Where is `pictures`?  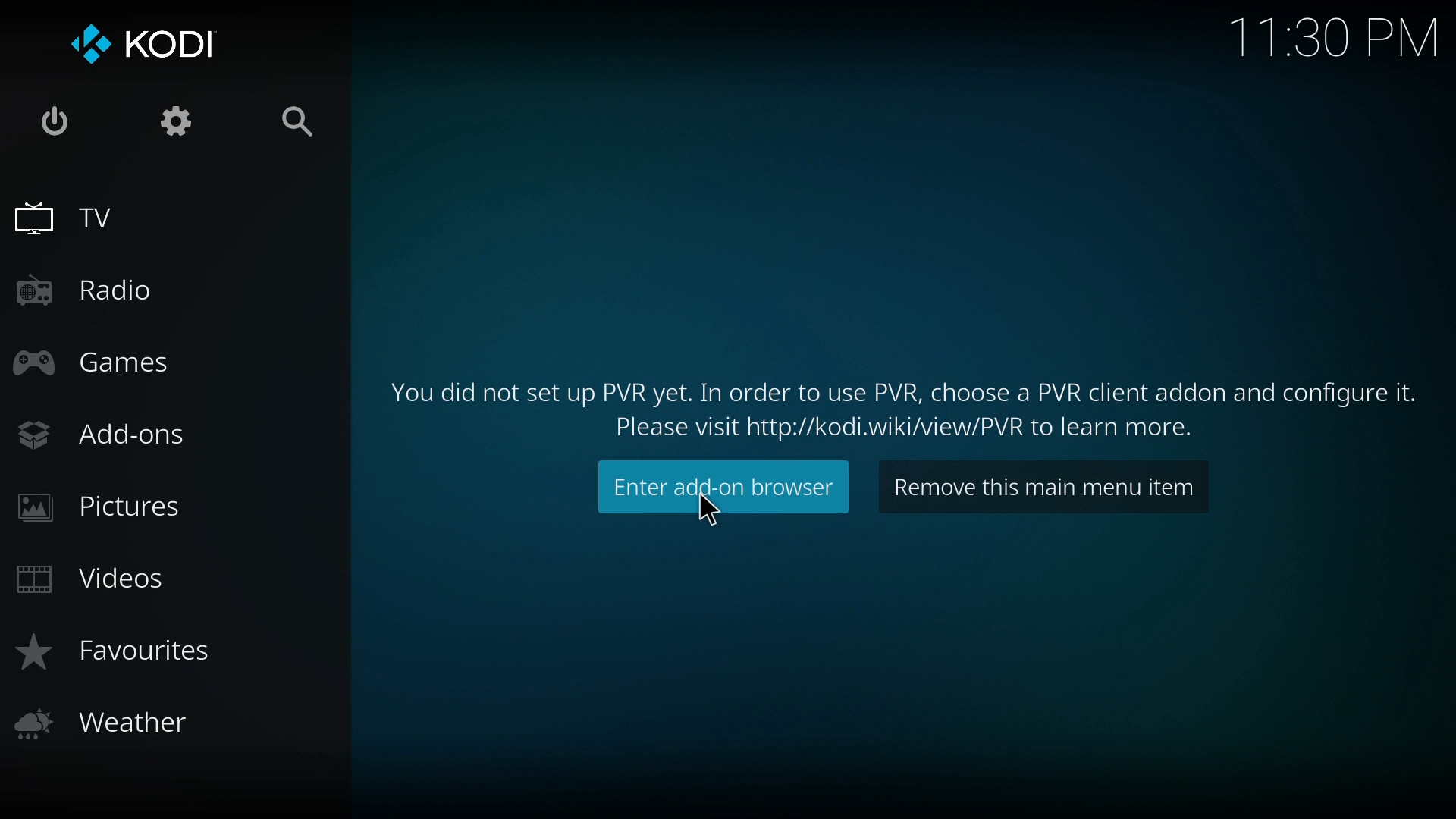
pictures is located at coordinates (104, 514).